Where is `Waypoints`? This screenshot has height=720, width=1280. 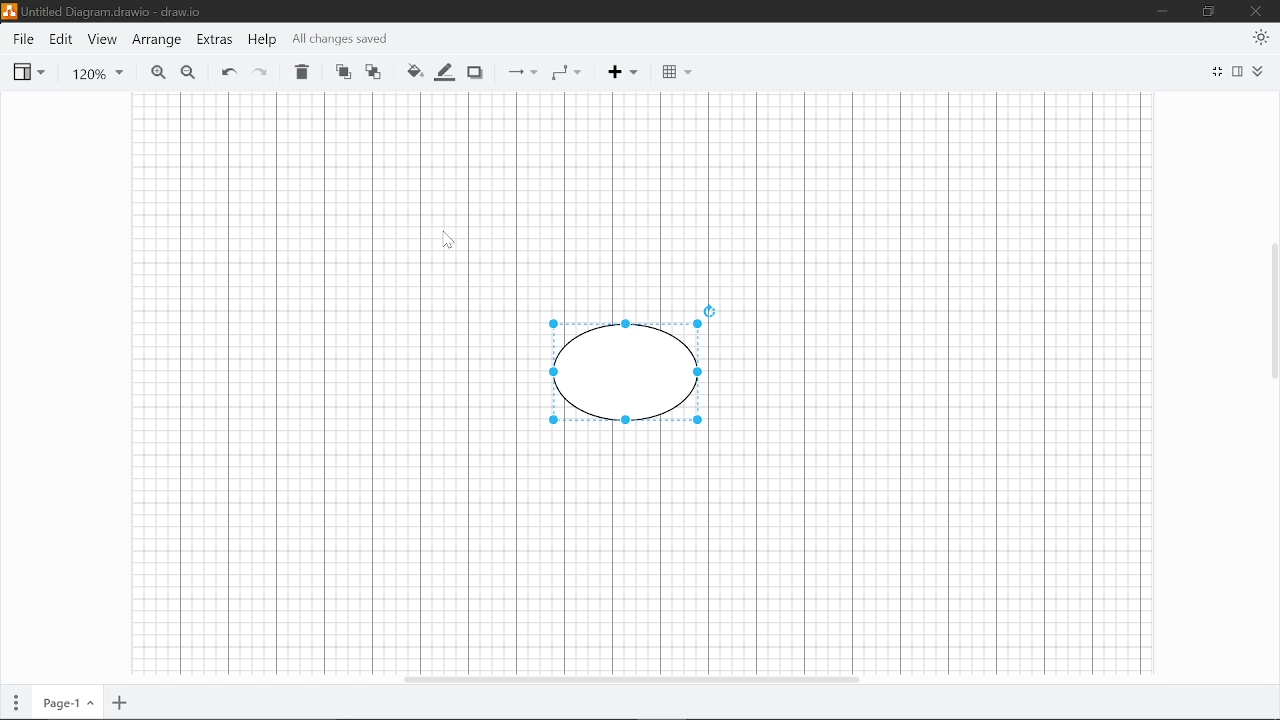 Waypoints is located at coordinates (565, 72).